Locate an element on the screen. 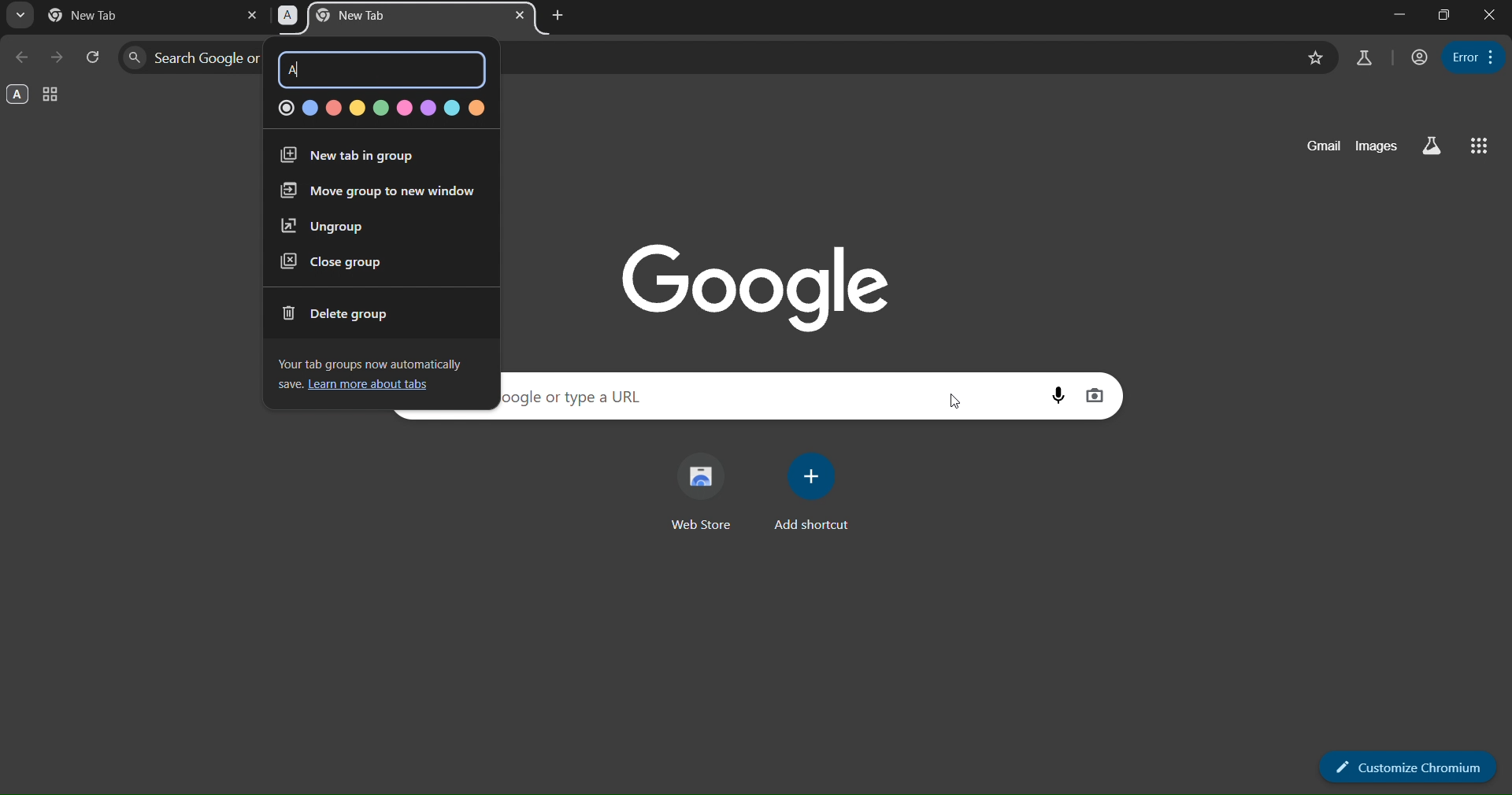 This screenshot has height=795, width=1512. current page is located at coordinates (98, 15).